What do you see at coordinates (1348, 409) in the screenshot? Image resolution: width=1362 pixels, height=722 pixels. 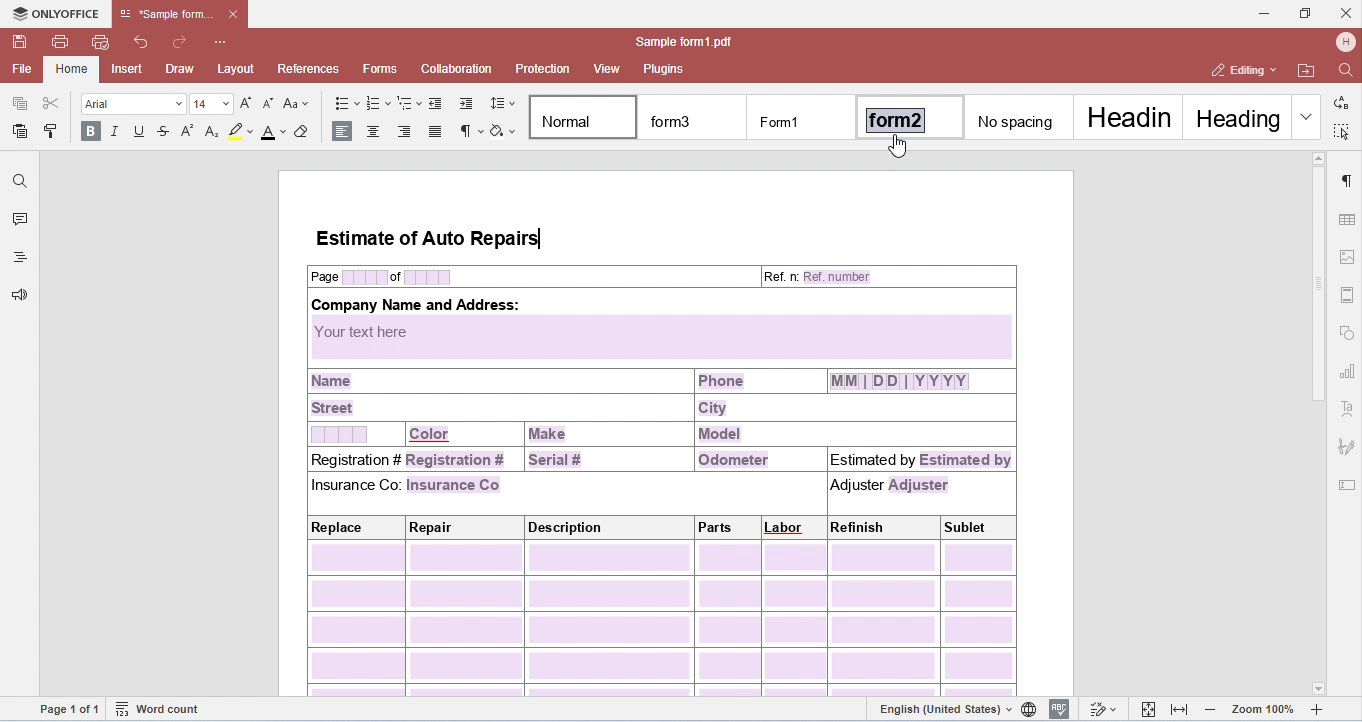 I see `text settings` at bounding box center [1348, 409].